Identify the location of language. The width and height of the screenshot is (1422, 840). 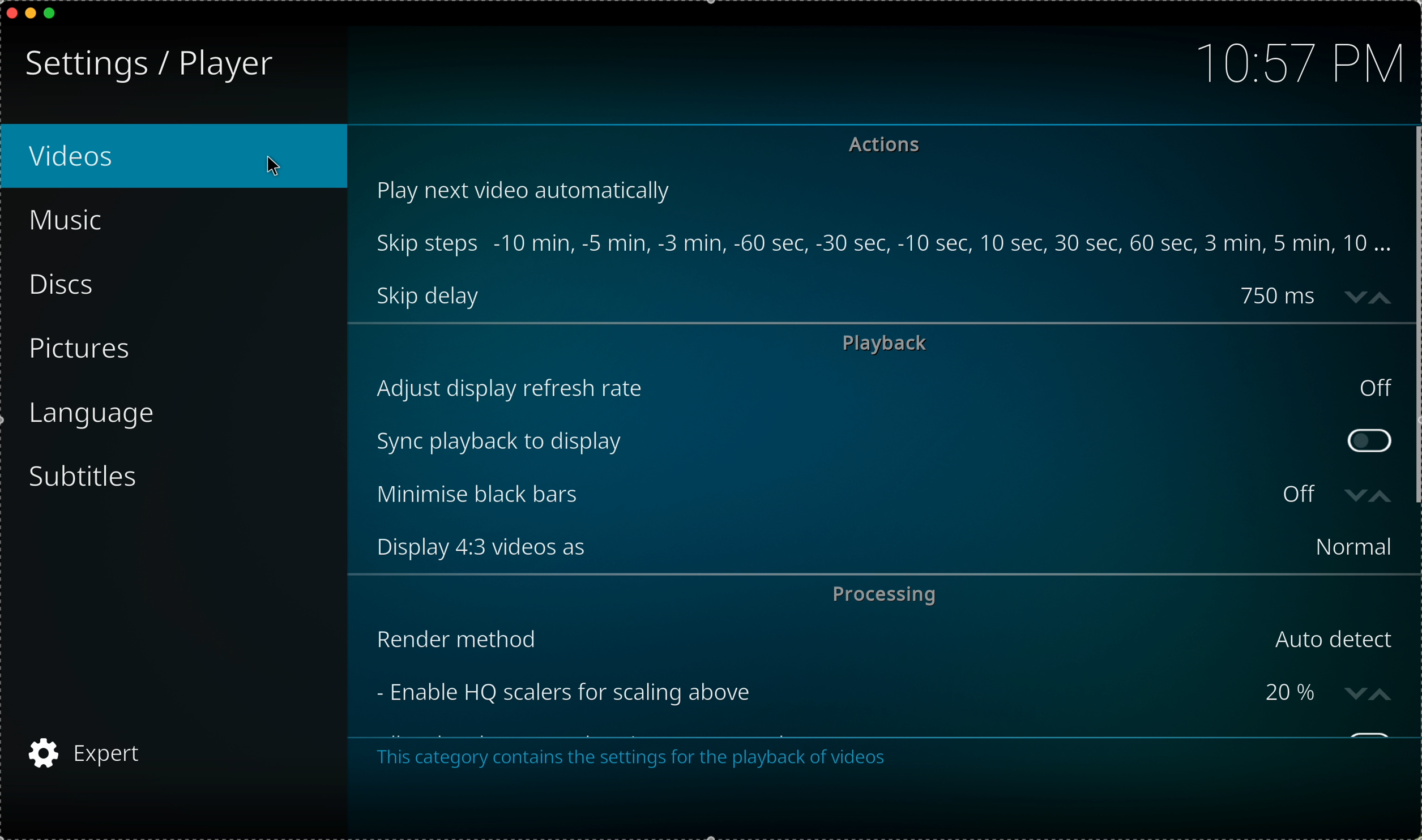
(94, 414).